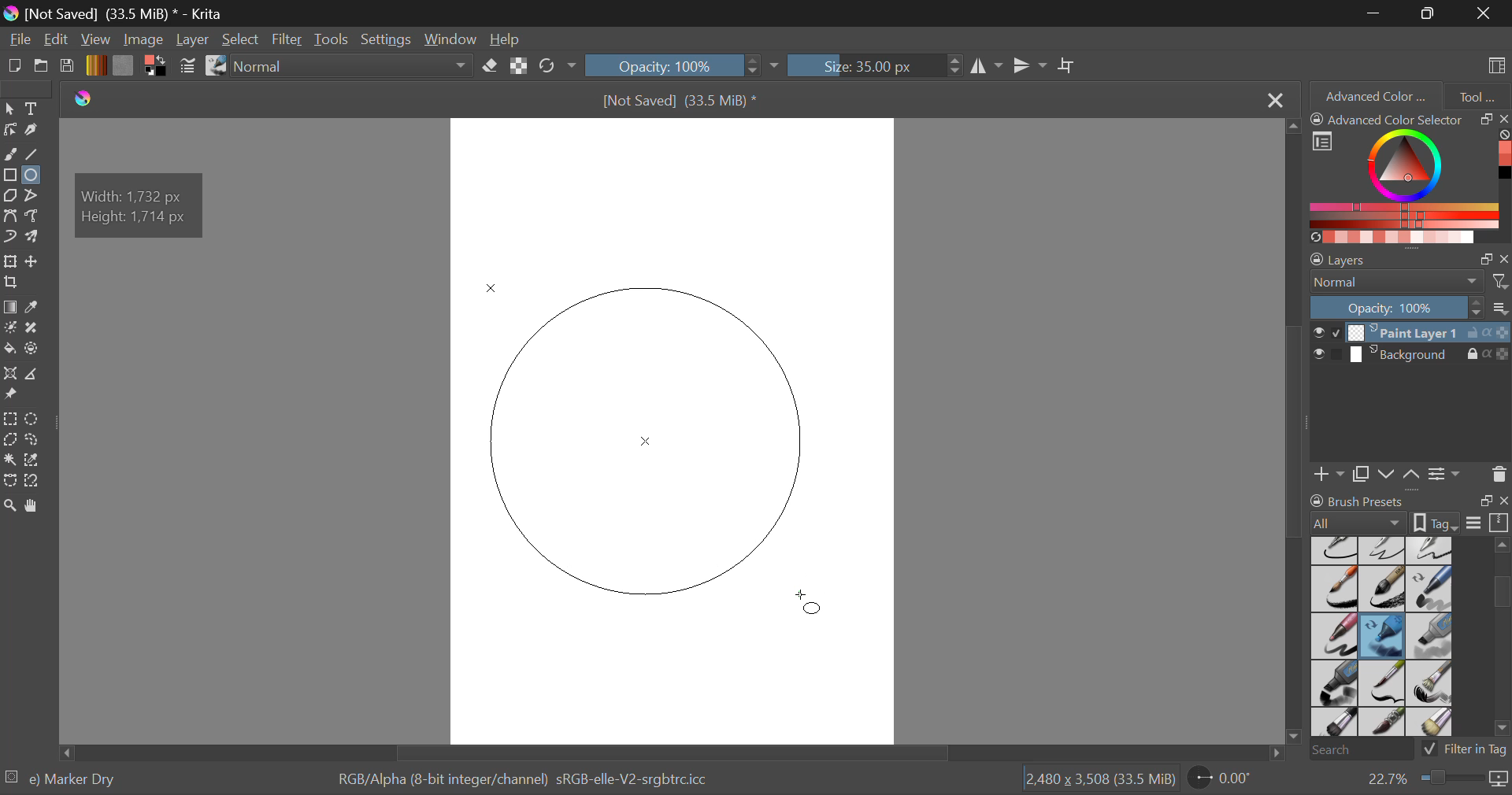 This screenshot has width=1512, height=795. What do you see at coordinates (1333, 723) in the screenshot?
I see `Bristles-3 Large Smooth` at bounding box center [1333, 723].